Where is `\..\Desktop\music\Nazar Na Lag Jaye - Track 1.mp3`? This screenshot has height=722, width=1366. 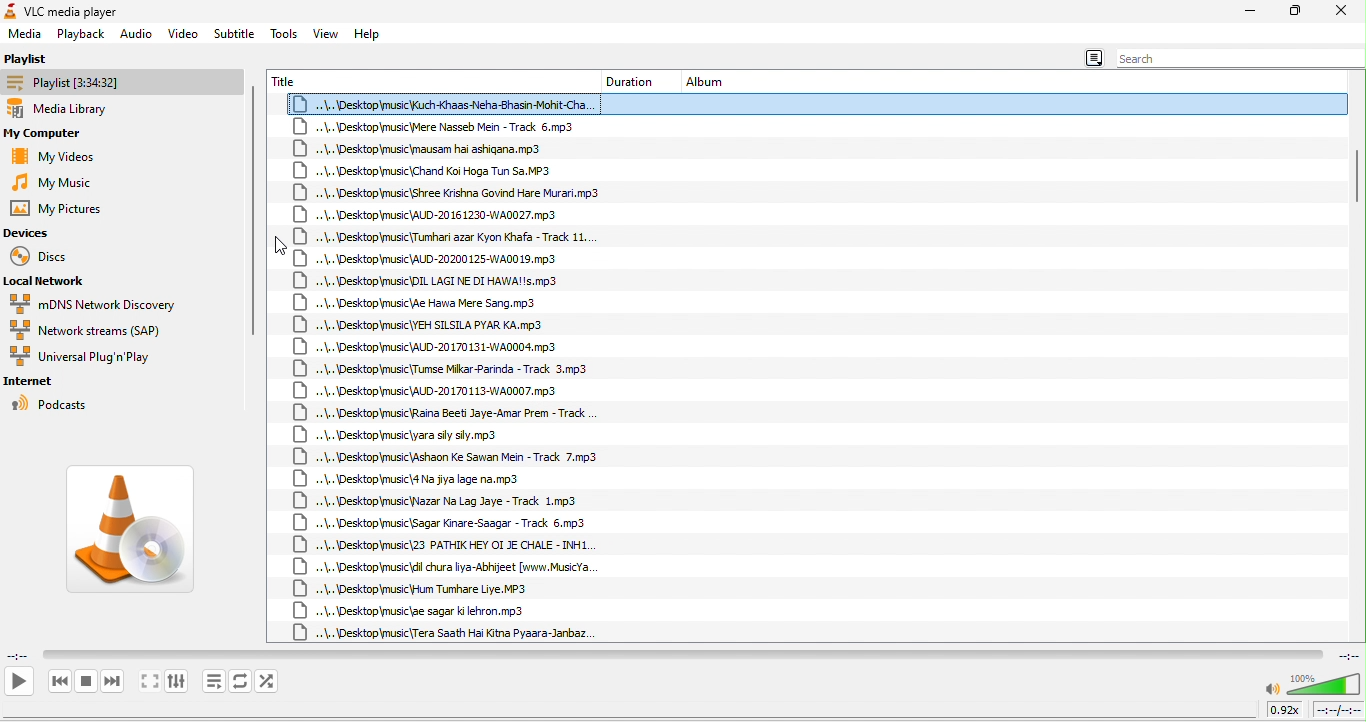
\..\Desktop\music\Nazar Na Lag Jaye - Track 1.mp3 is located at coordinates (450, 502).